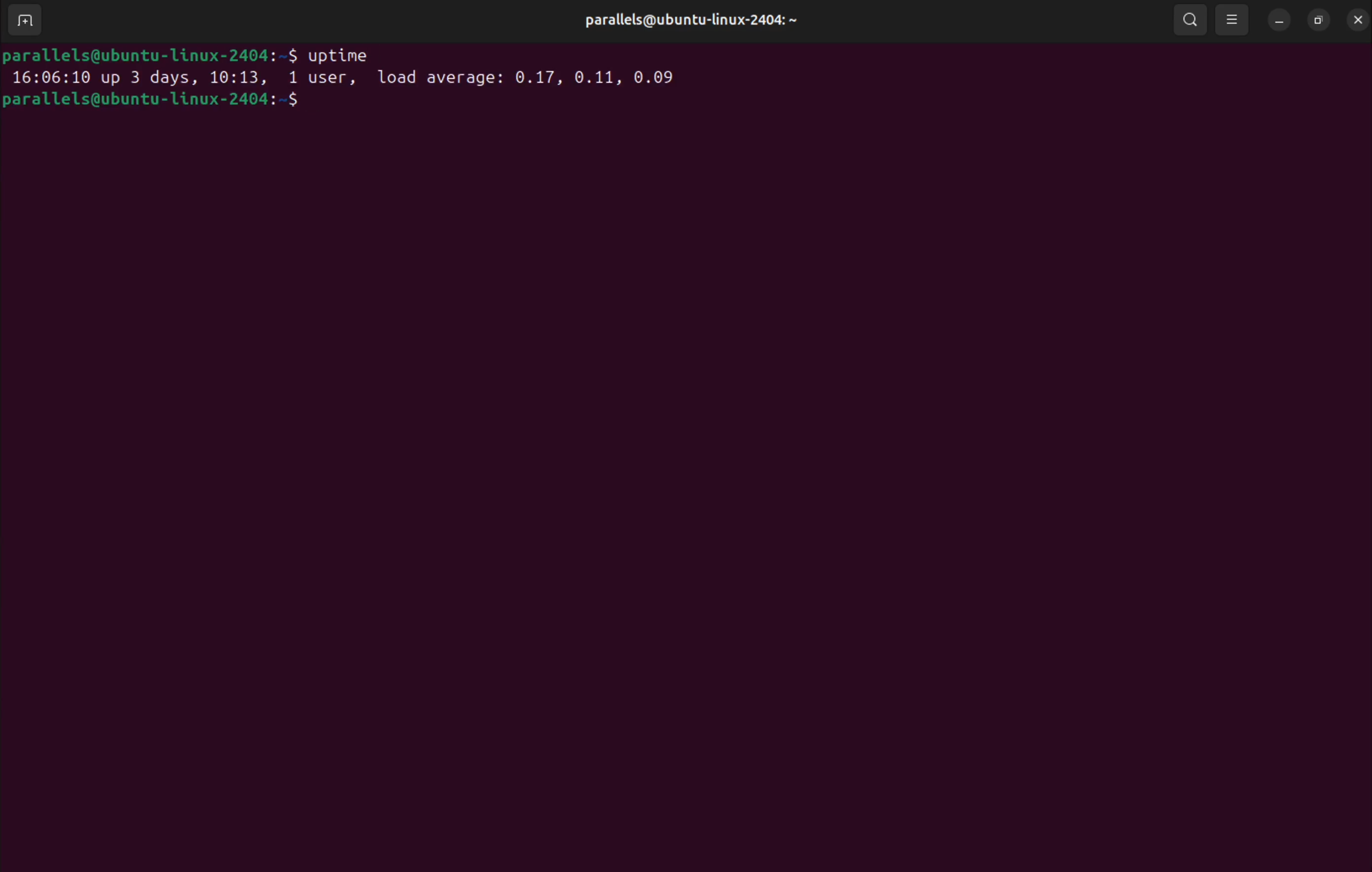 The height and width of the screenshot is (872, 1372). What do you see at coordinates (348, 54) in the screenshot?
I see `uptime` at bounding box center [348, 54].